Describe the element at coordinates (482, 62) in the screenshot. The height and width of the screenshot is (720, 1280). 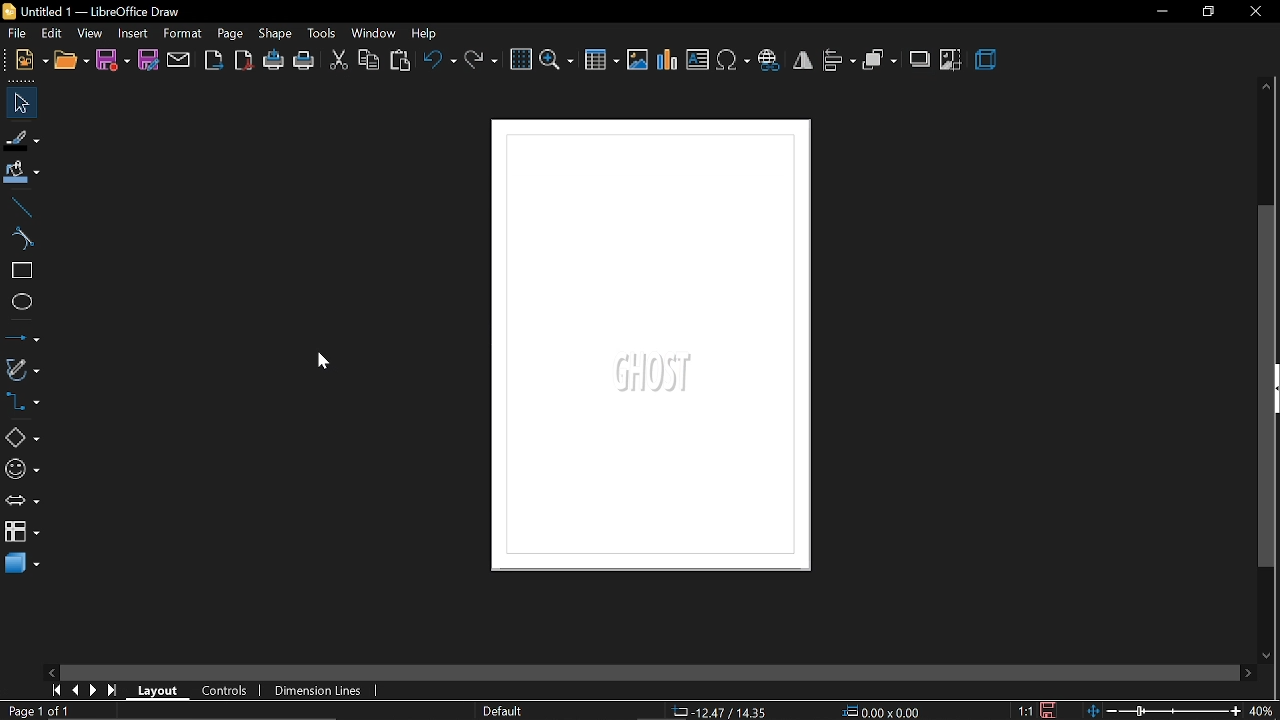
I see `redo` at that location.